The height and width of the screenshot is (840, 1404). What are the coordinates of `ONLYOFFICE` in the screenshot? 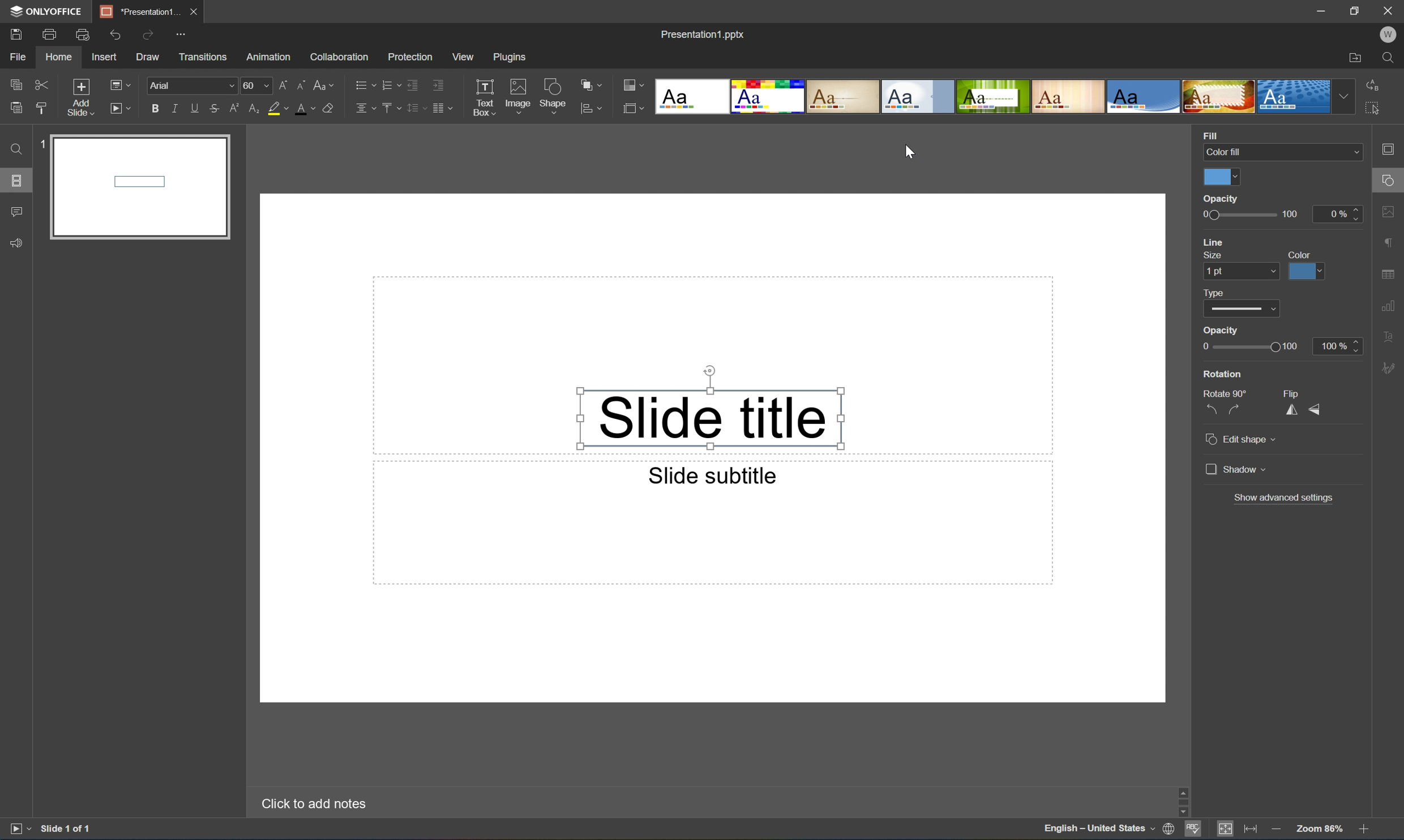 It's located at (48, 12).